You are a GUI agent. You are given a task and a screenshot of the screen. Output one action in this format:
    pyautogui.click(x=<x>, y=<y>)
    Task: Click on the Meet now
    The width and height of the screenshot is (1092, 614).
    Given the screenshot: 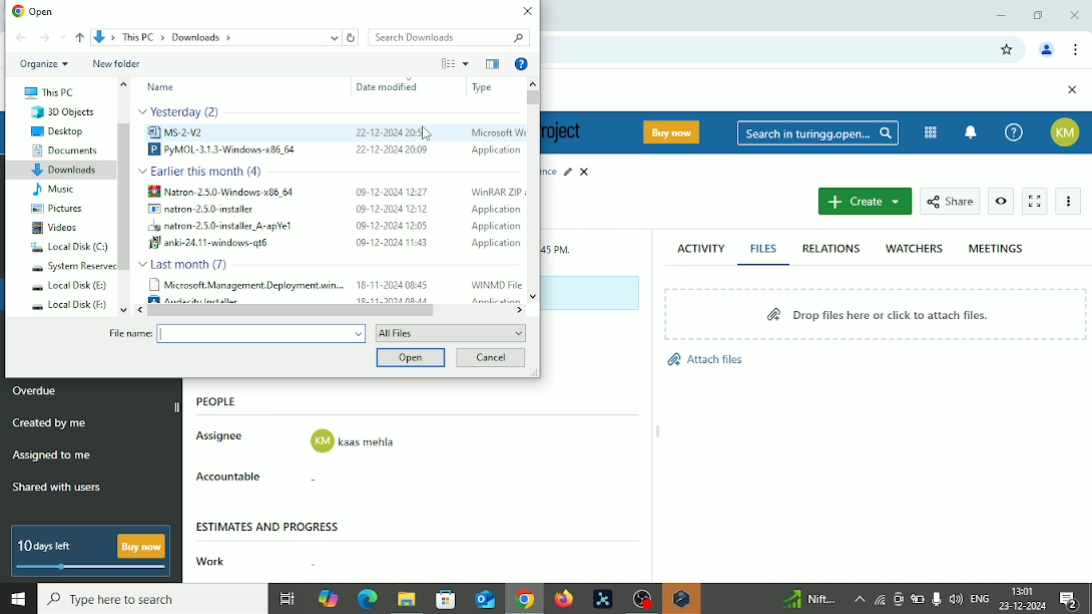 What is the action you would take?
    pyautogui.click(x=898, y=599)
    